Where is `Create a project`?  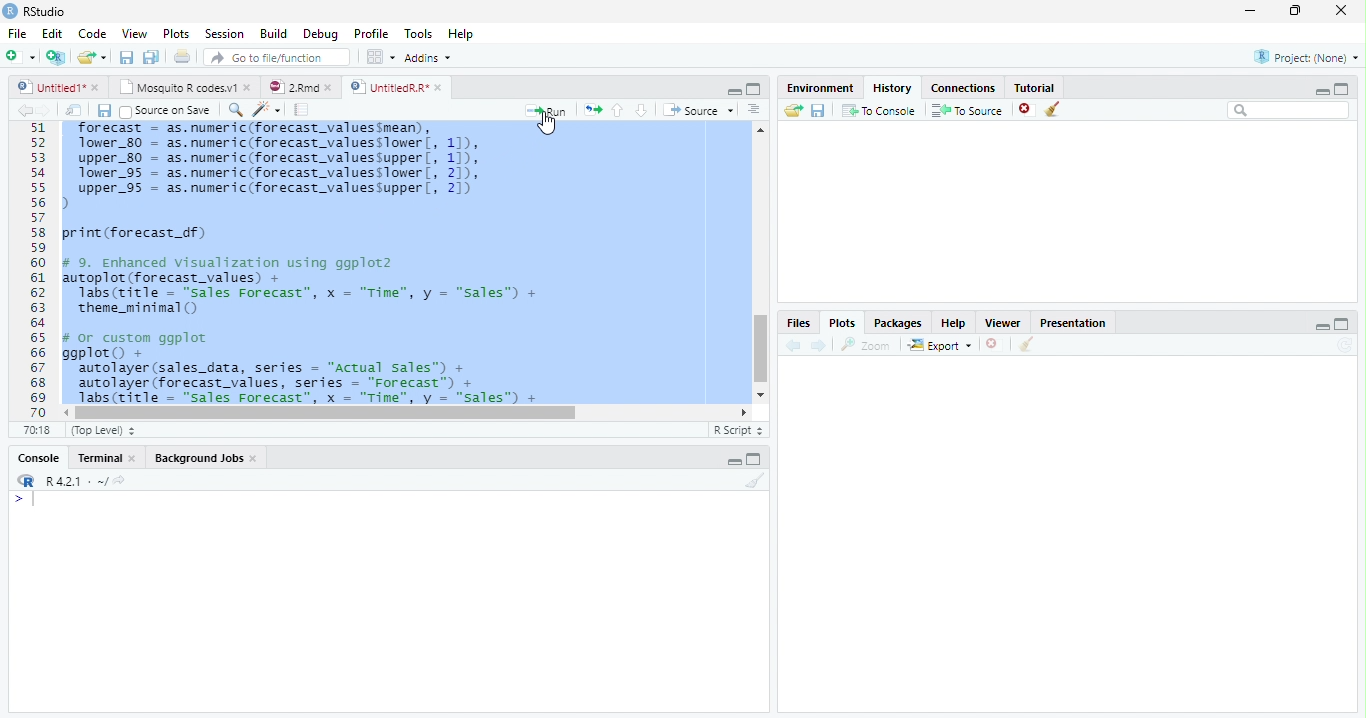
Create a project is located at coordinates (57, 59).